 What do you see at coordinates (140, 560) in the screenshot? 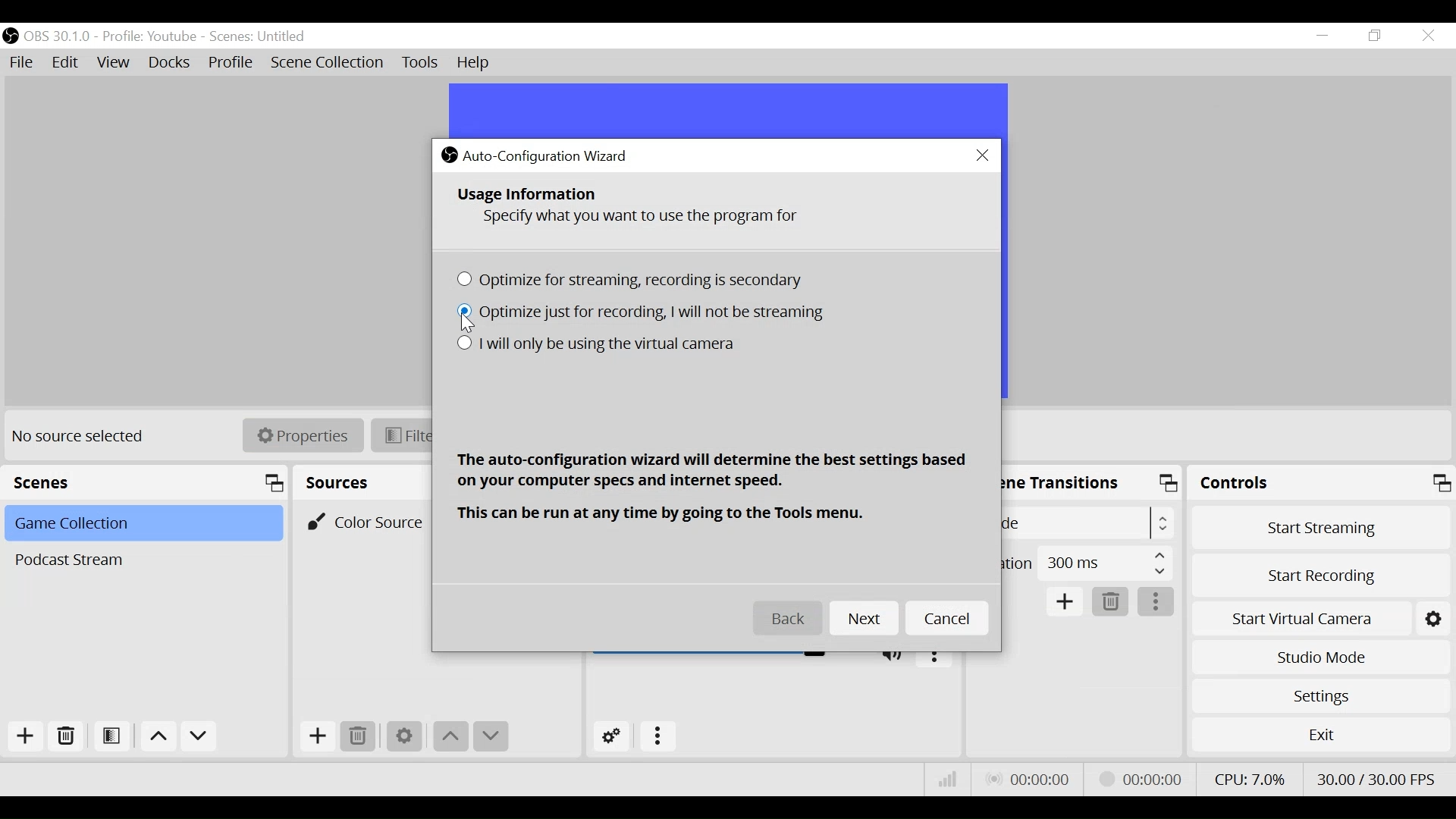
I see `Scene` at bounding box center [140, 560].